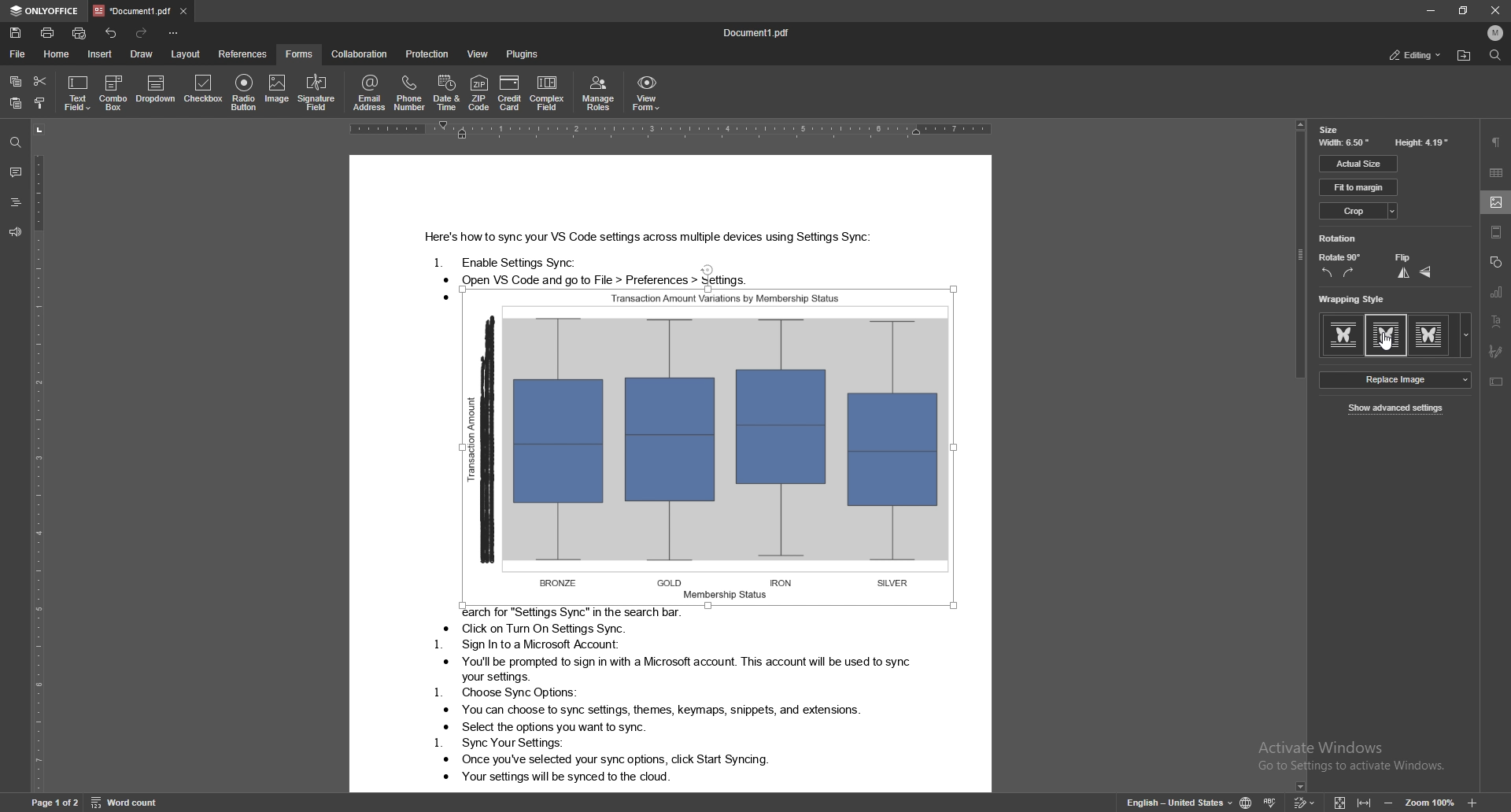  Describe the element at coordinates (511, 92) in the screenshot. I see `credit card` at that location.